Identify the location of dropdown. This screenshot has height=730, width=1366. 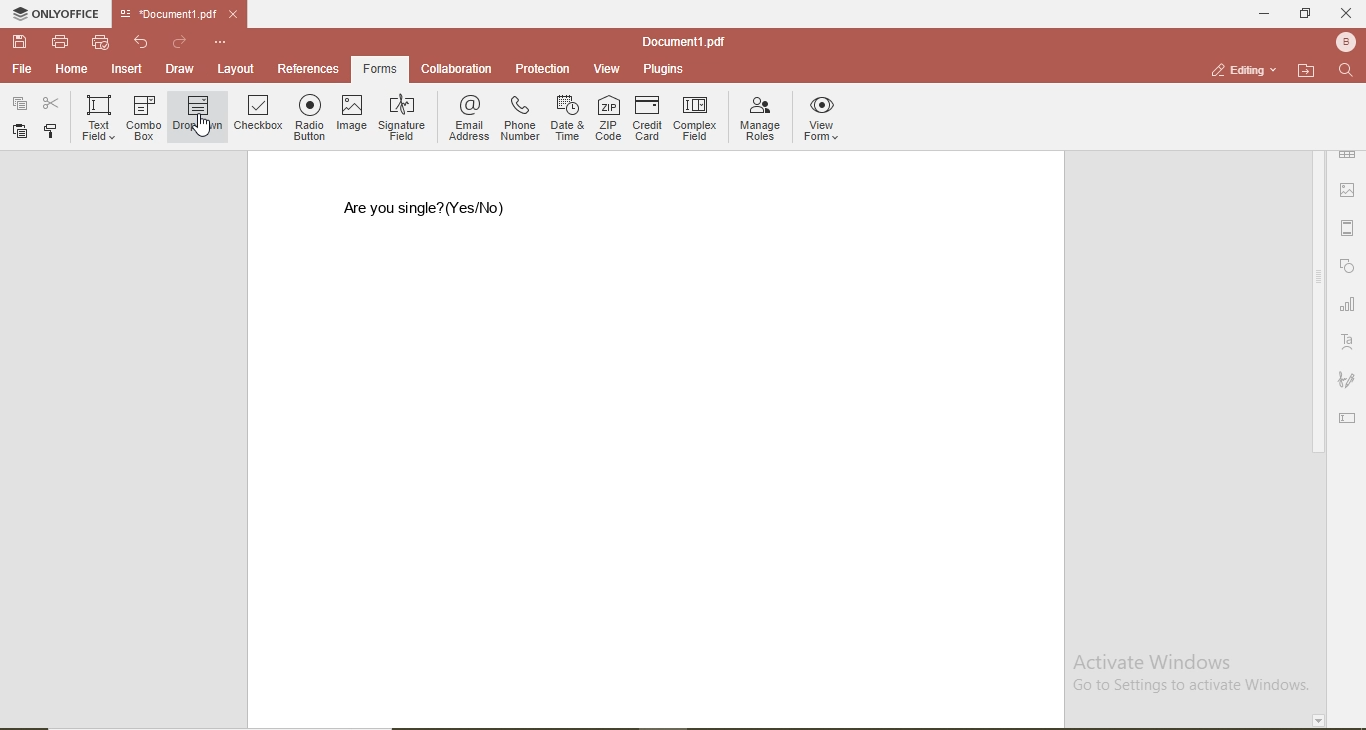
(199, 115).